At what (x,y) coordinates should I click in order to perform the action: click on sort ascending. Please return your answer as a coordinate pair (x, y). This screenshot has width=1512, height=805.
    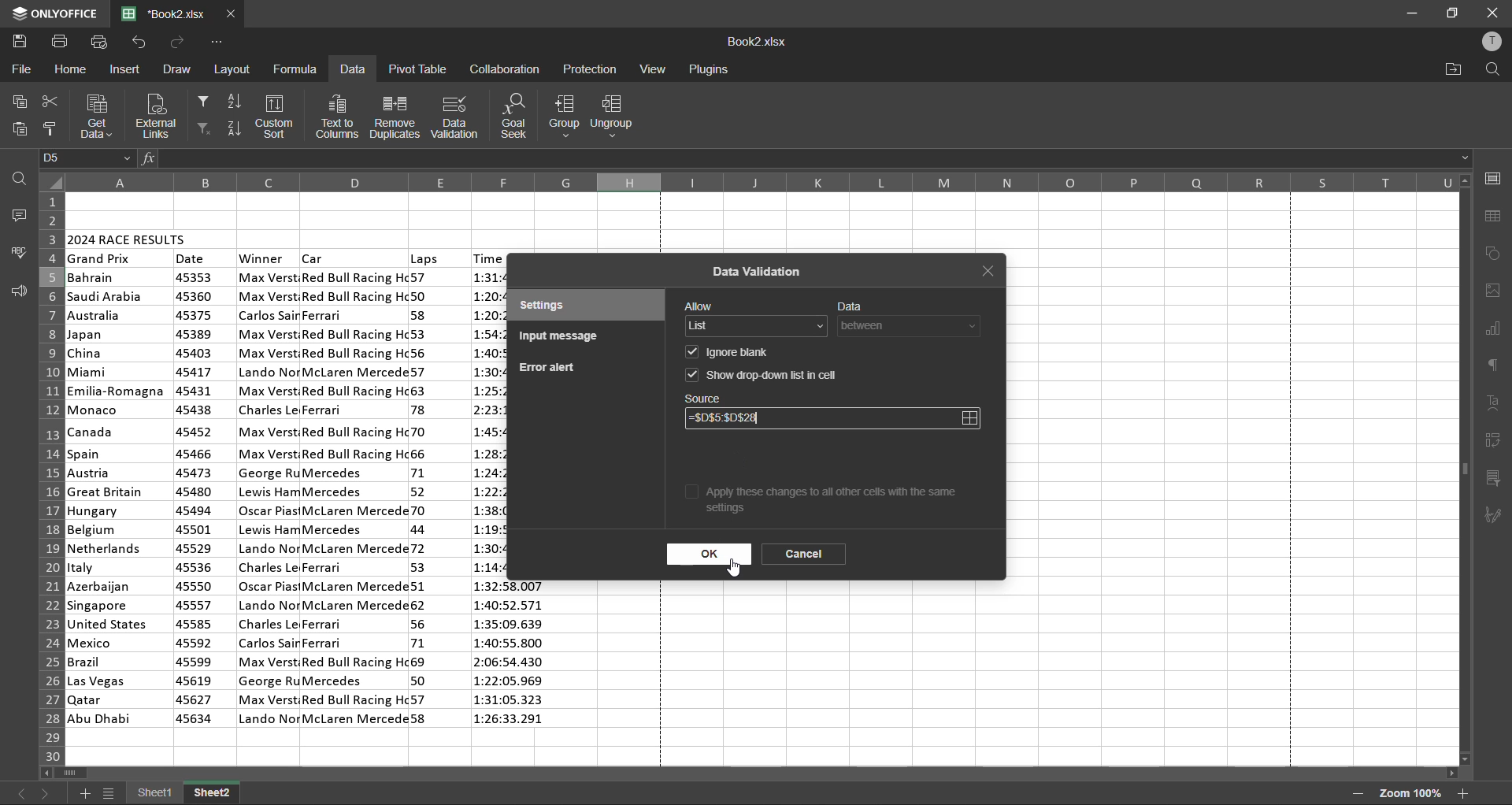
    Looking at the image, I should click on (235, 103).